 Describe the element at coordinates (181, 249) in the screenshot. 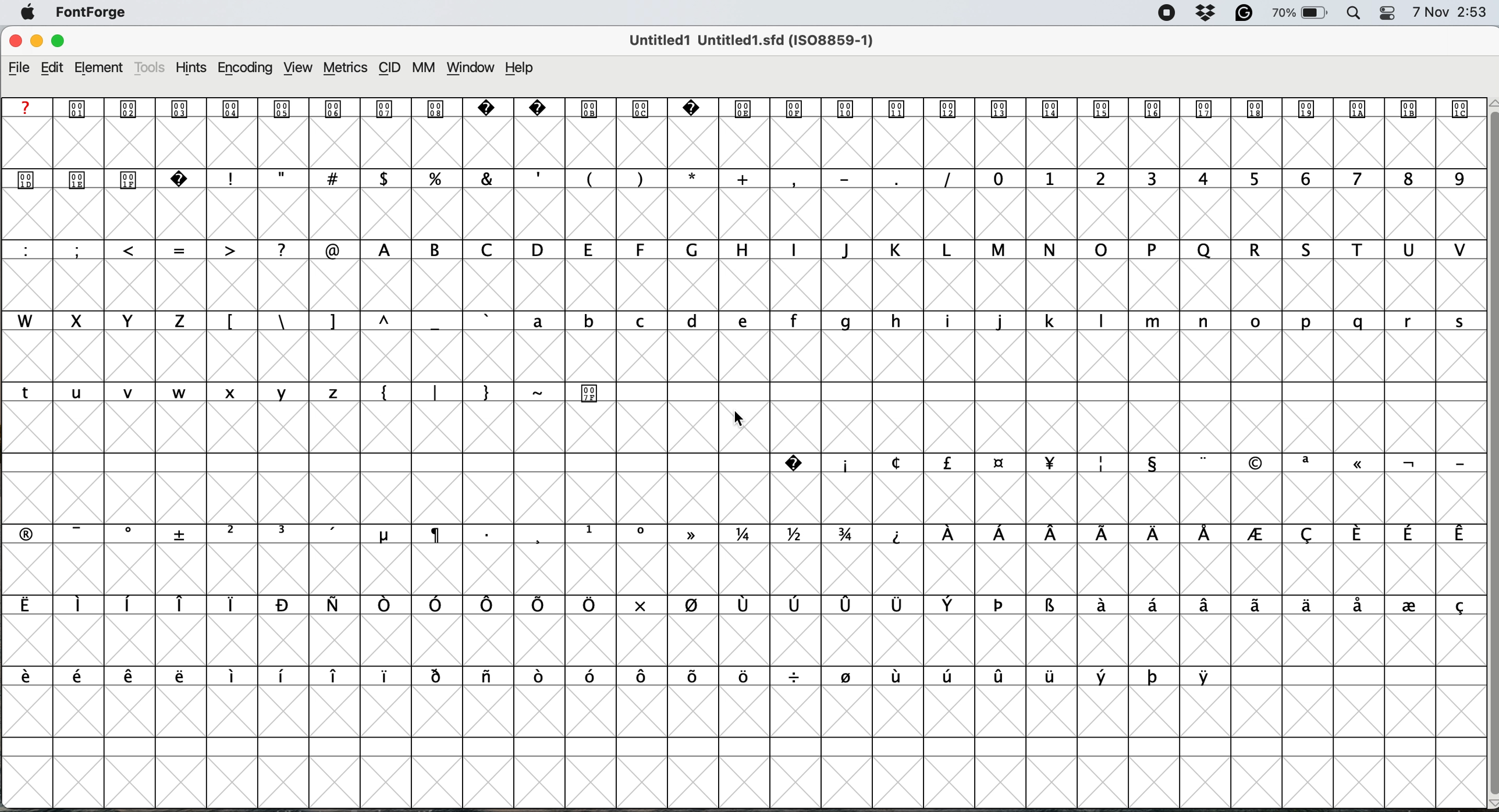

I see `special characters` at that location.